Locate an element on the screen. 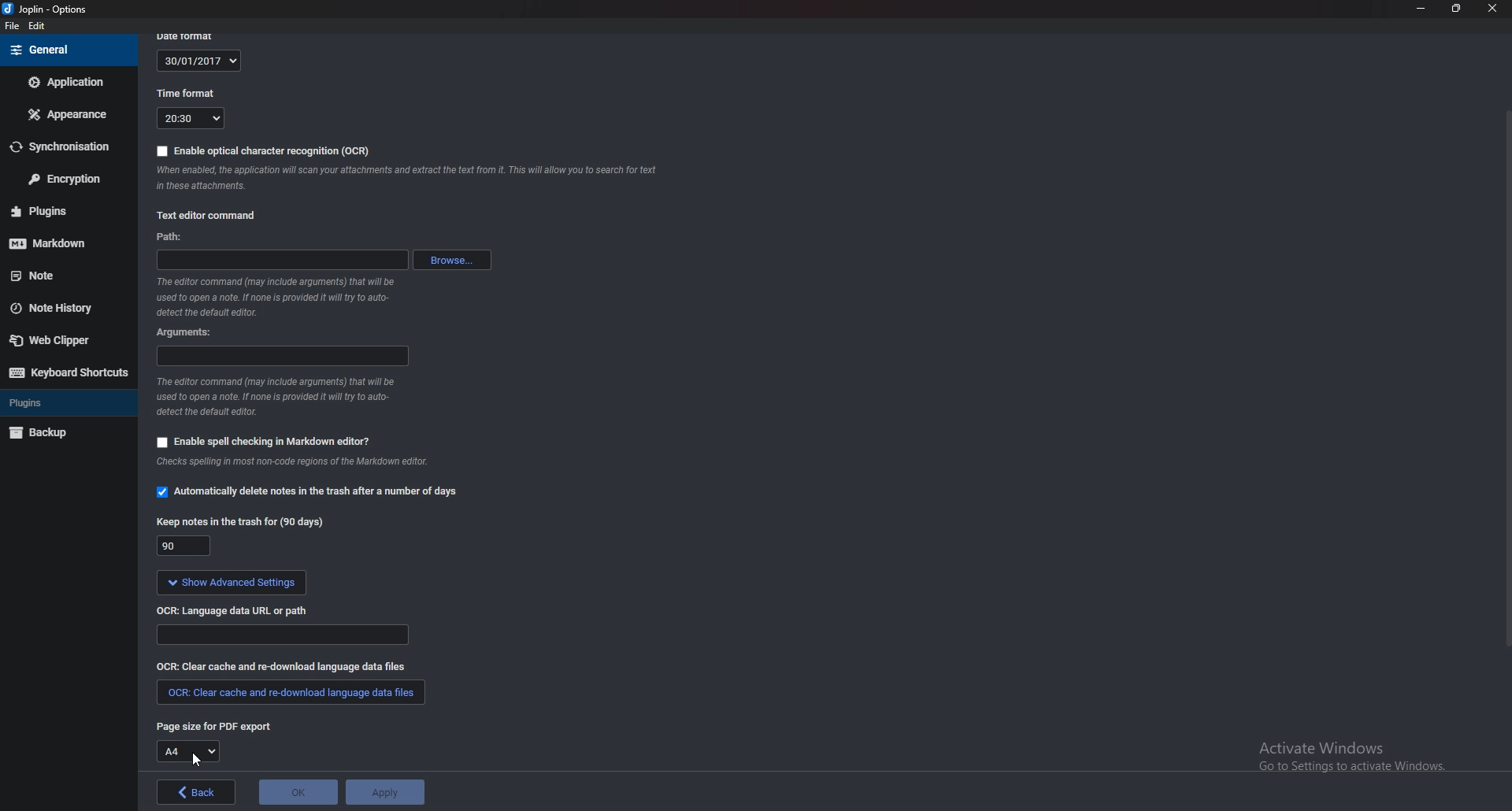 This screenshot has width=1512, height=811. apply is located at coordinates (384, 792).